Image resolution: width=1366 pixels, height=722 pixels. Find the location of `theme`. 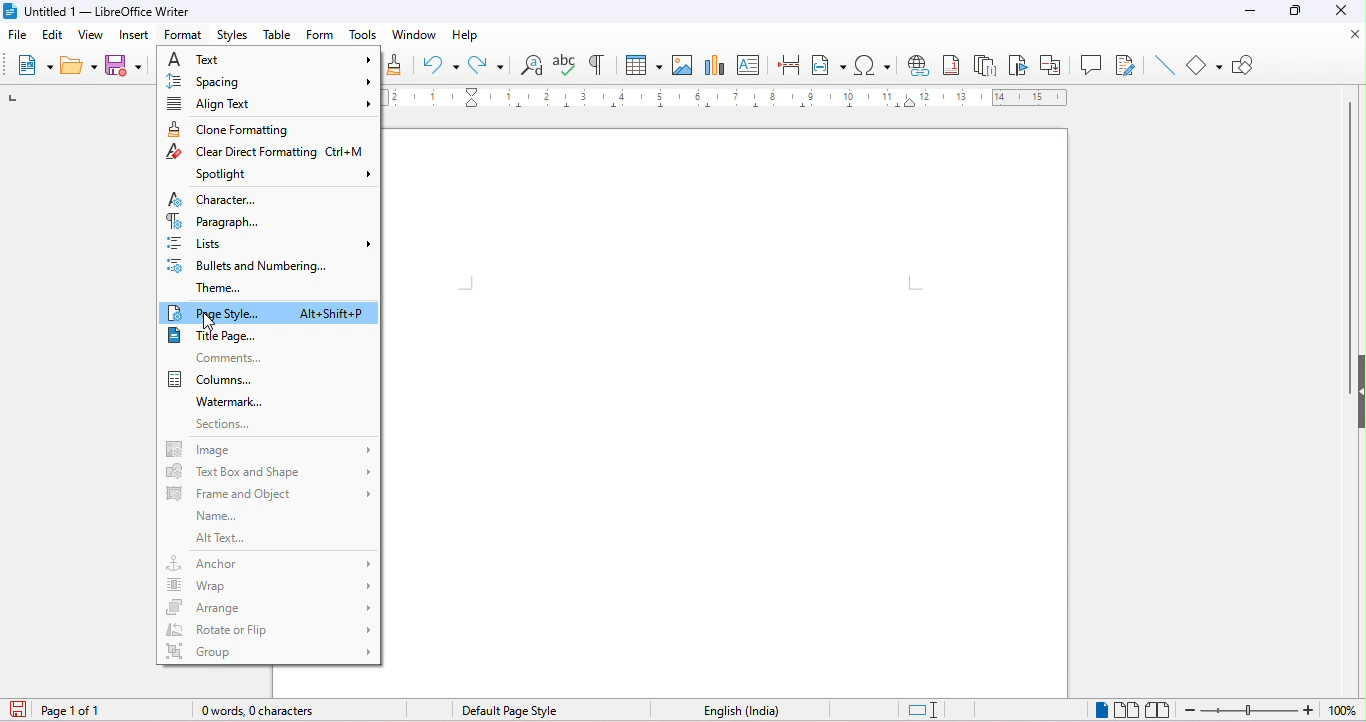

theme is located at coordinates (222, 291).